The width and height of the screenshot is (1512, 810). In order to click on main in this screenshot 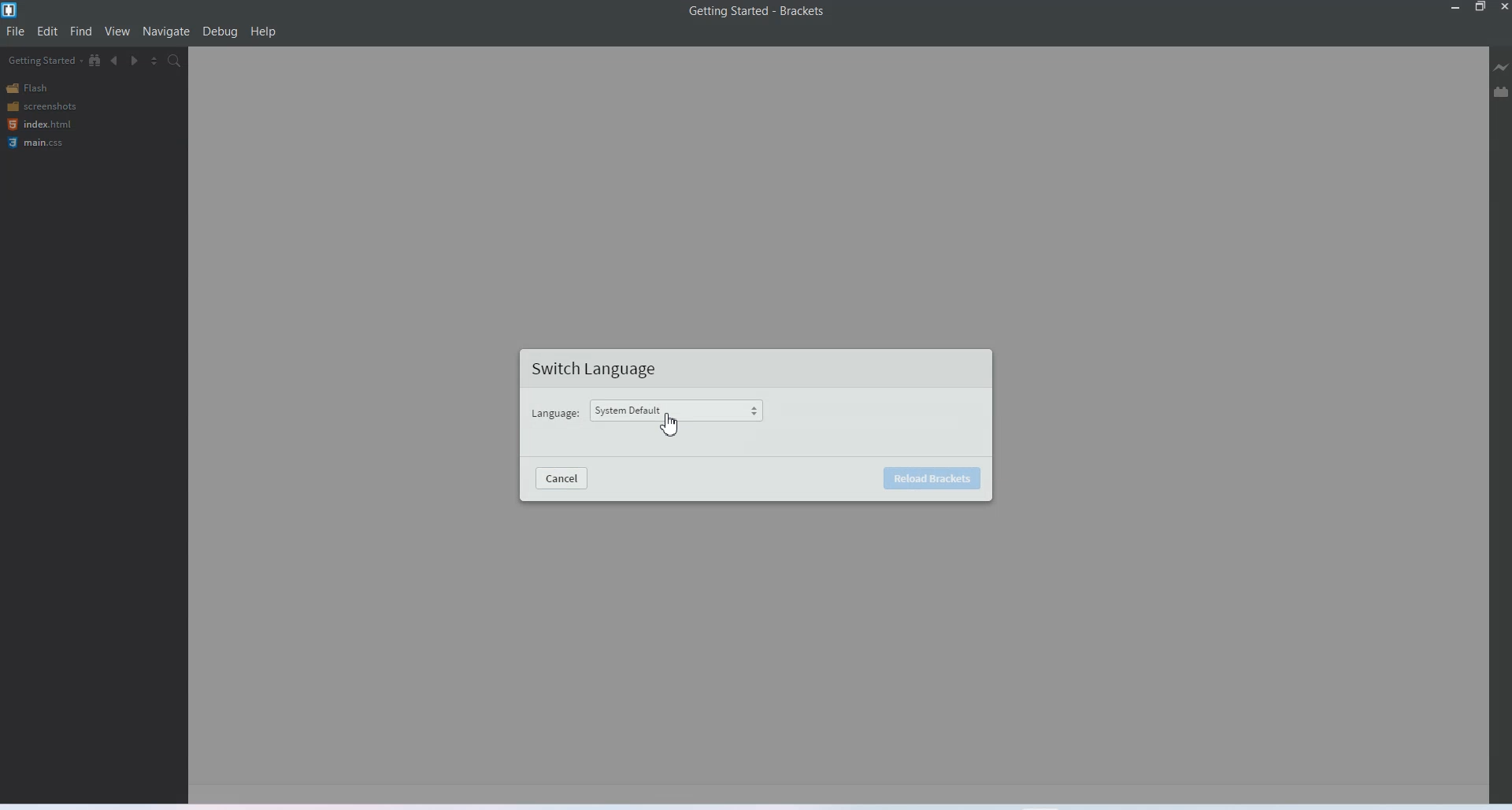, I will do `click(39, 143)`.